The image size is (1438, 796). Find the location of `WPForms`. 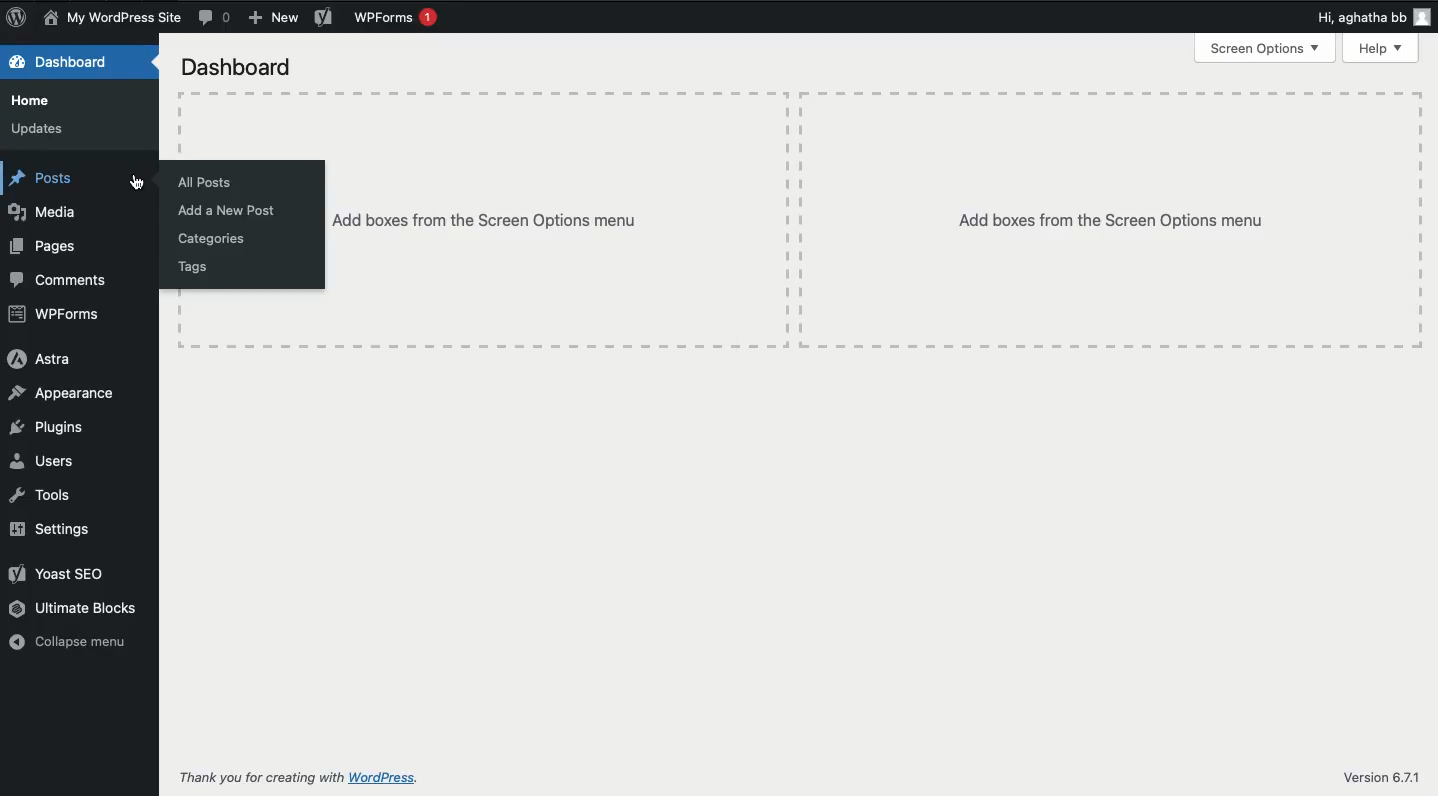

WPForms is located at coordinates (61, 314).